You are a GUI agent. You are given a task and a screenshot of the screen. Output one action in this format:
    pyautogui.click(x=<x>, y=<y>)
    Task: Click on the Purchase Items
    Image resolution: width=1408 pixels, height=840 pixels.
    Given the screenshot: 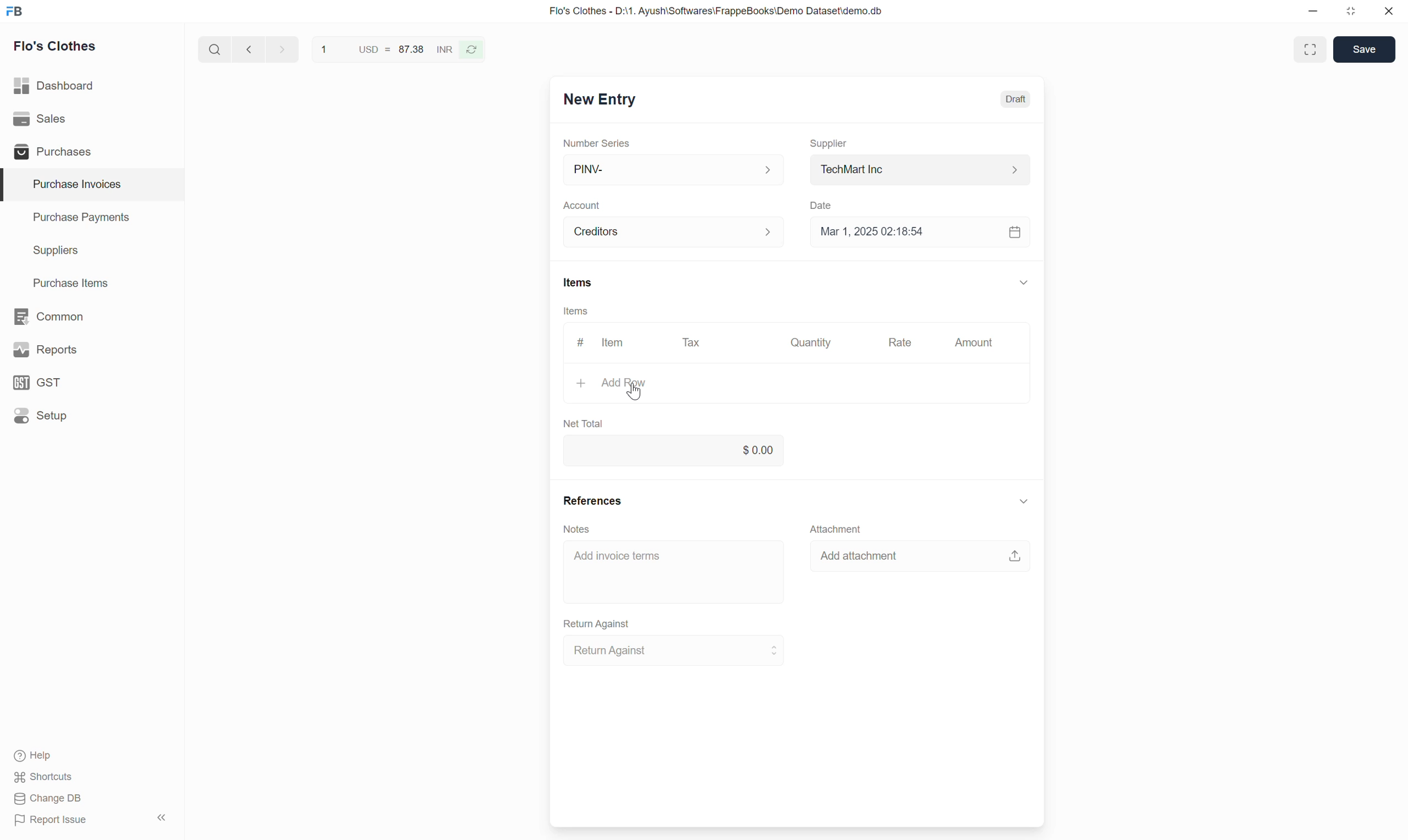 What is the action you would take?
    pyautogui.click(x=92, y=284)
    